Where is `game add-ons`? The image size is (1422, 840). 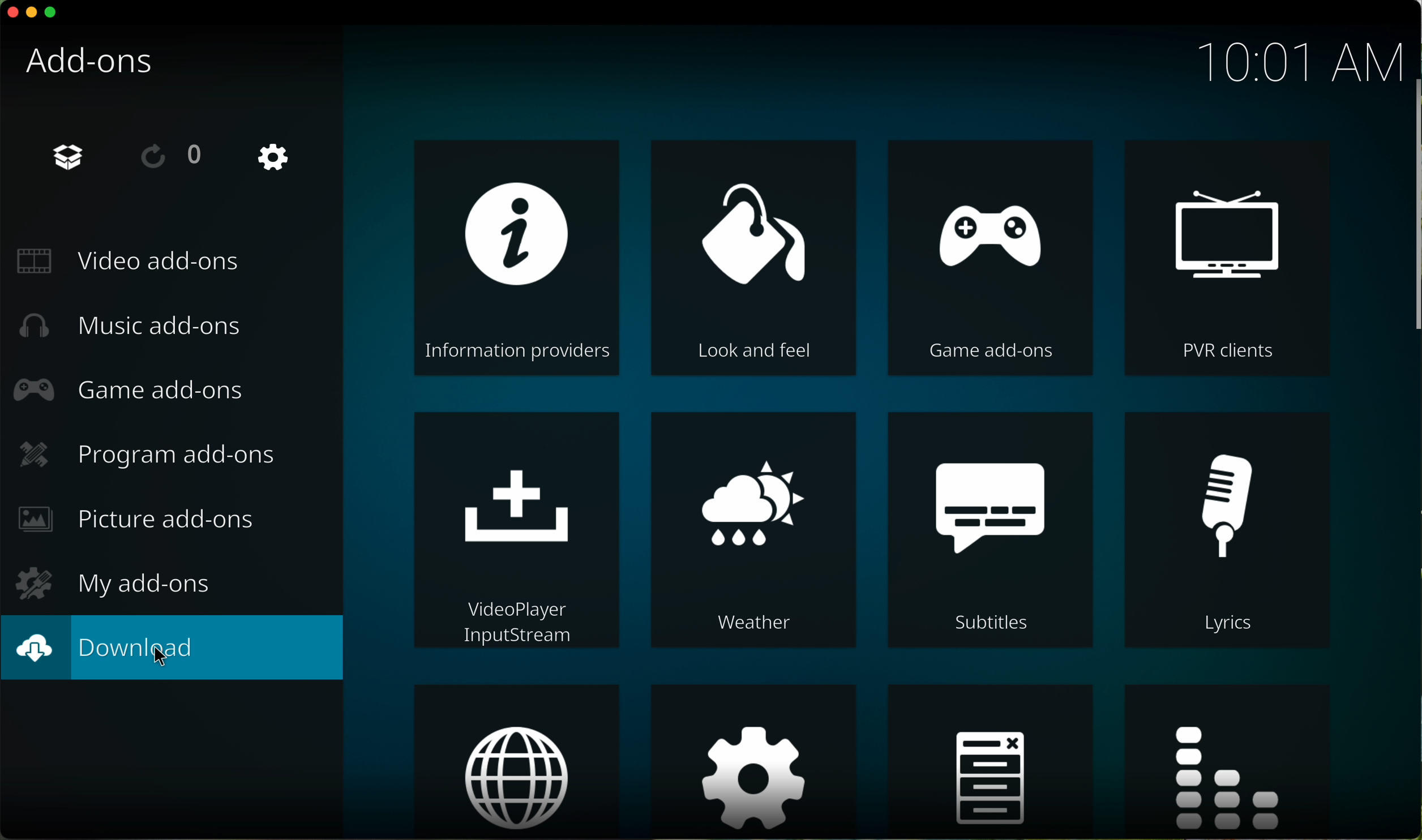
game add-ons is located at coordinates (990, 258).